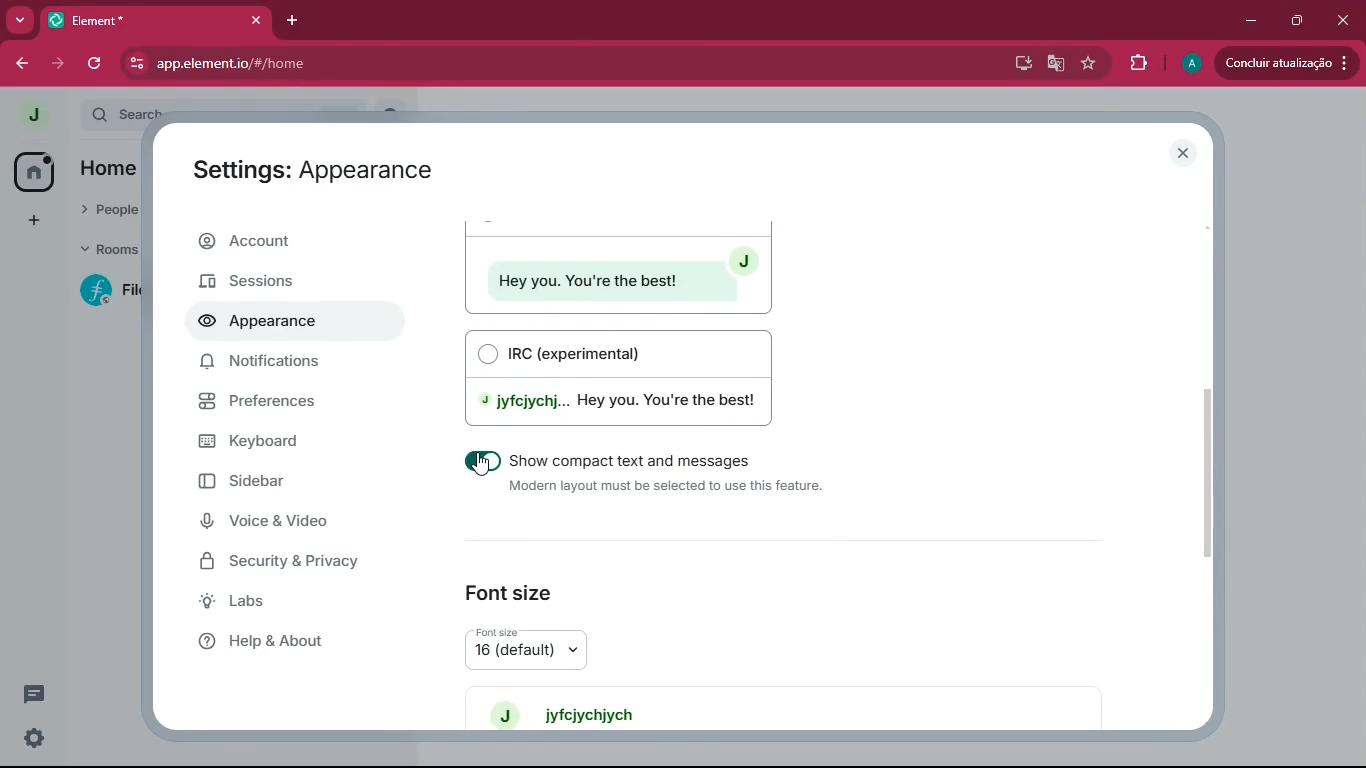 The image size is (1366, 768). What do you see at coordinates (482, 459) in the screenshot?
I see `on` at bounding box center [482, 459].